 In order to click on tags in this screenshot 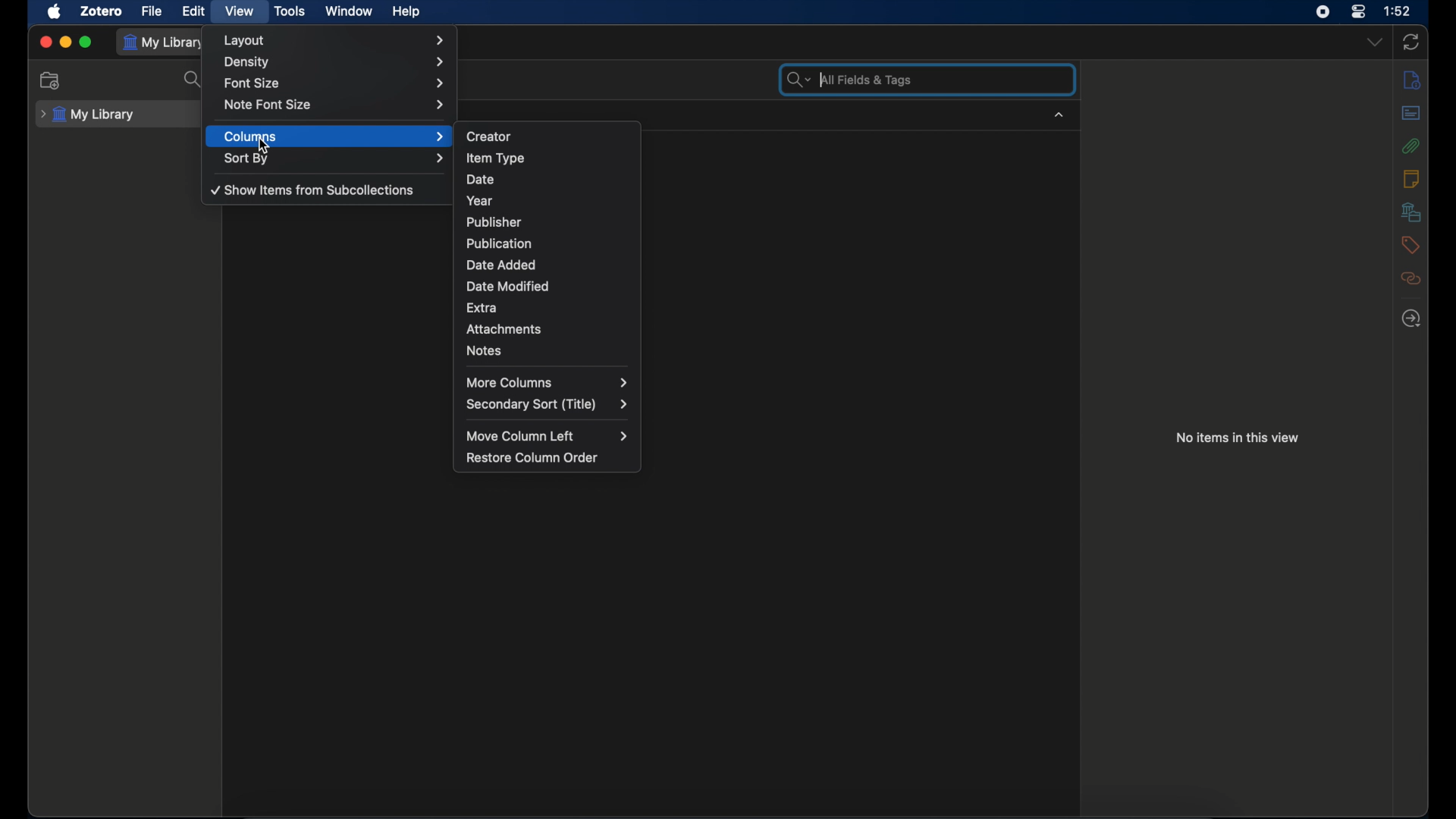, I will do `click(1409, 245)`.